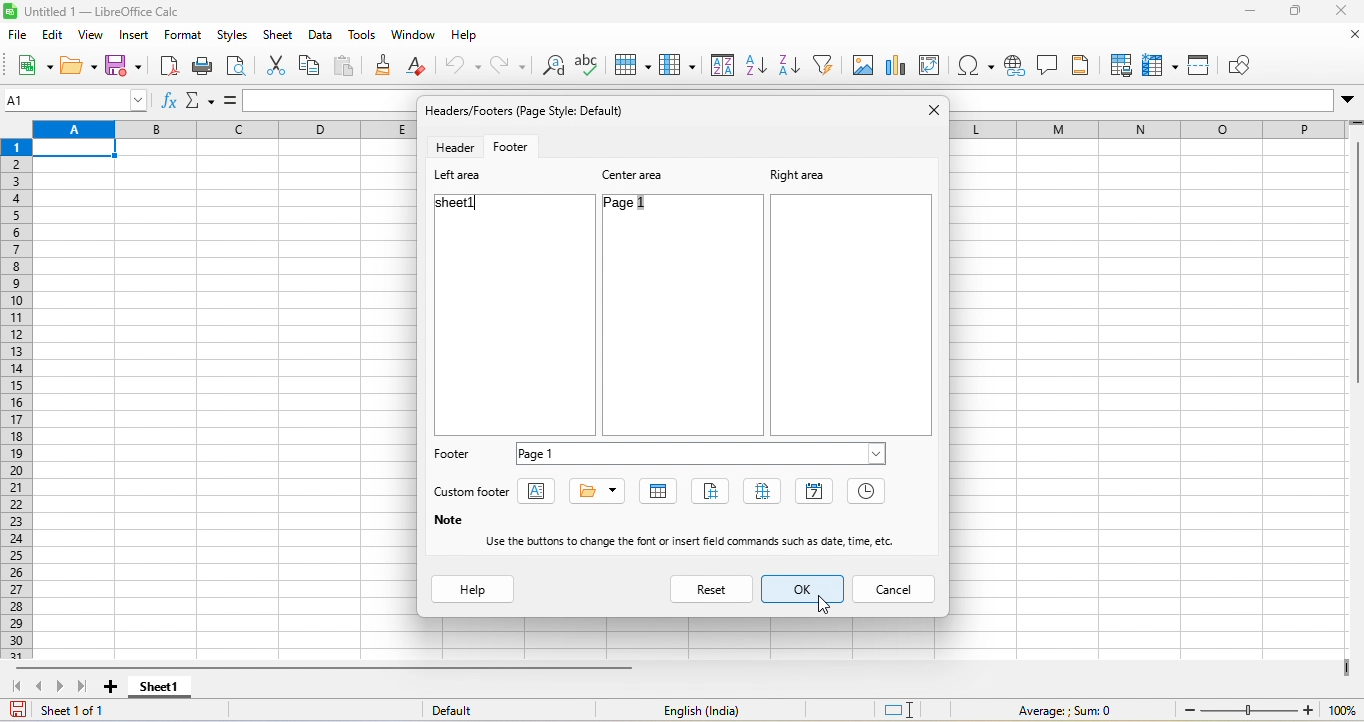 The height and width of the screenshot is (722, 1364). I want to click on text language, so click(704, 710).